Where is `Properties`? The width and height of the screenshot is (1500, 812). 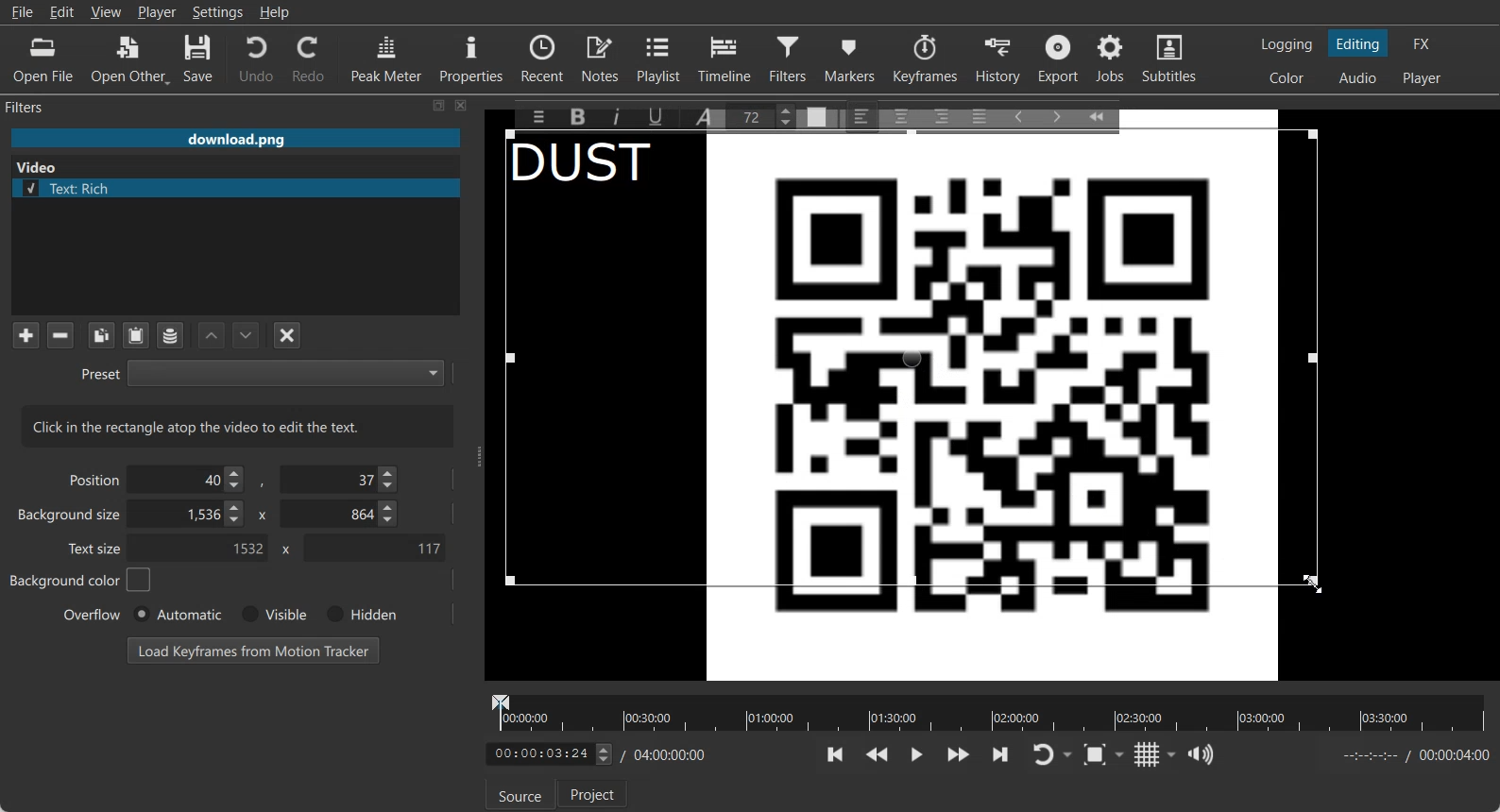
Properties is located at coordinates (471, 57).